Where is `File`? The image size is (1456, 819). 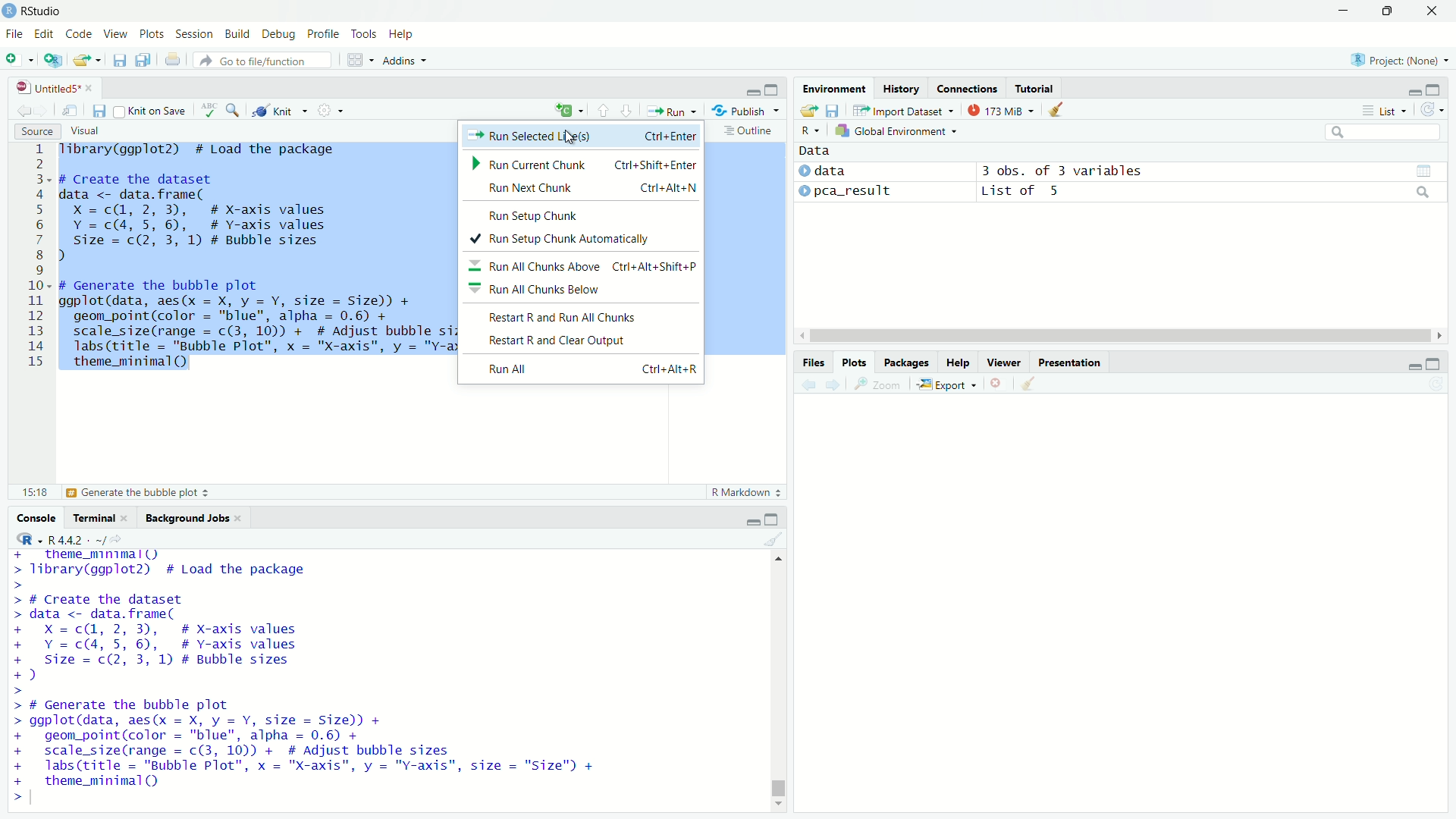
File is located at coordinates (15, 34).